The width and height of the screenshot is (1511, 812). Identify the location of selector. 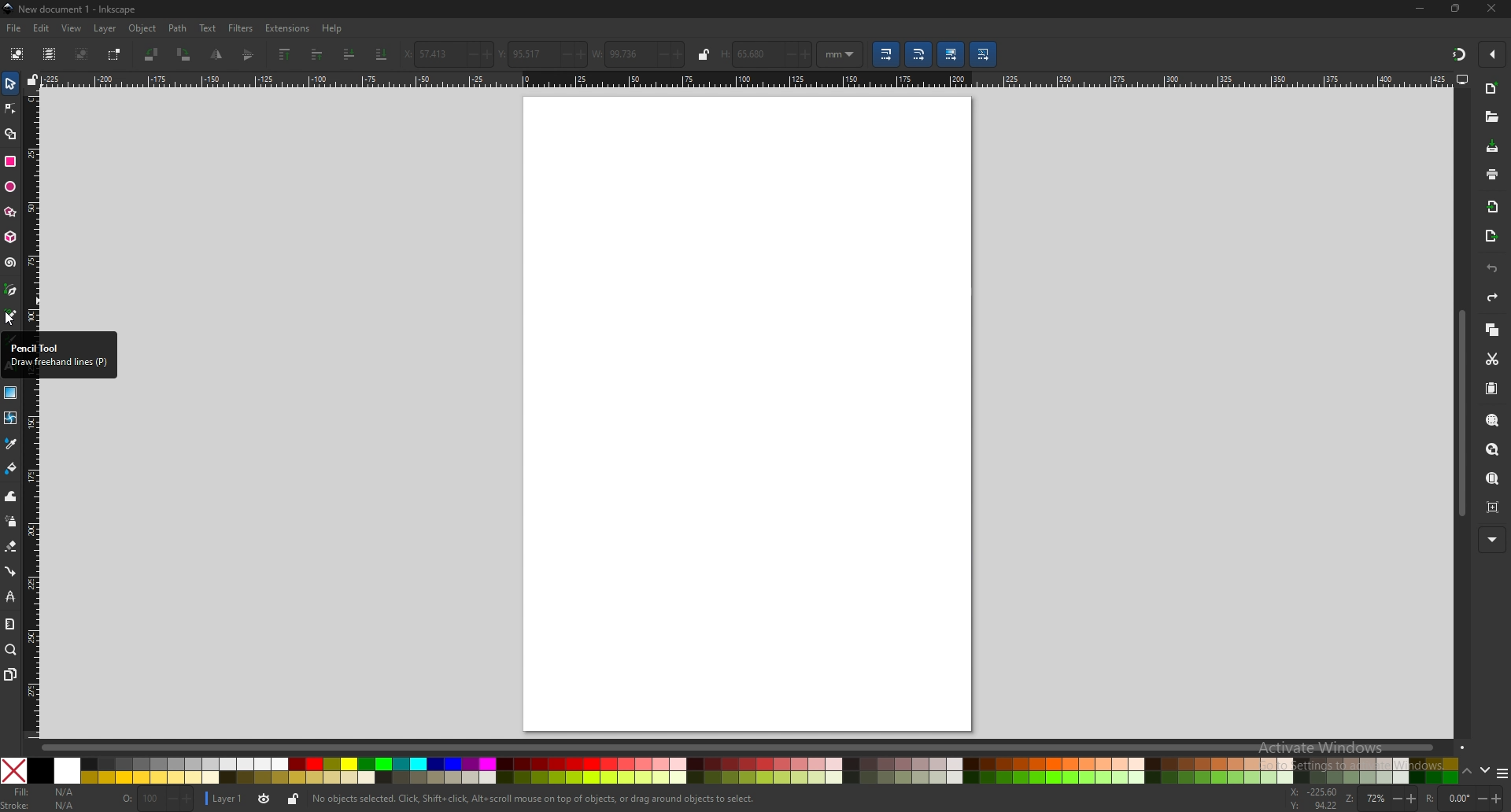
(10, 83).